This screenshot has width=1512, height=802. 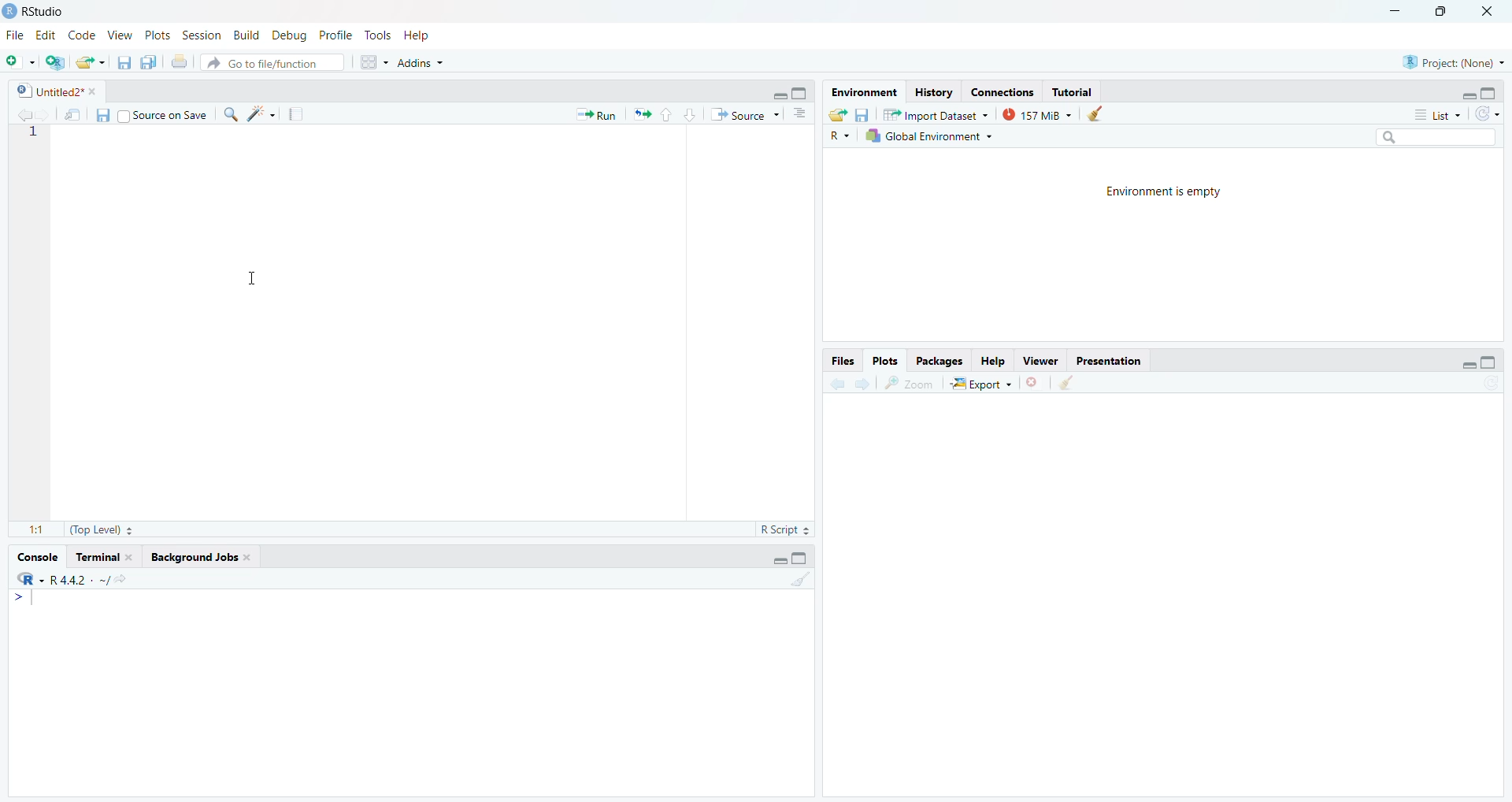 I want to click on print the current file, so click(x=180, y=64).